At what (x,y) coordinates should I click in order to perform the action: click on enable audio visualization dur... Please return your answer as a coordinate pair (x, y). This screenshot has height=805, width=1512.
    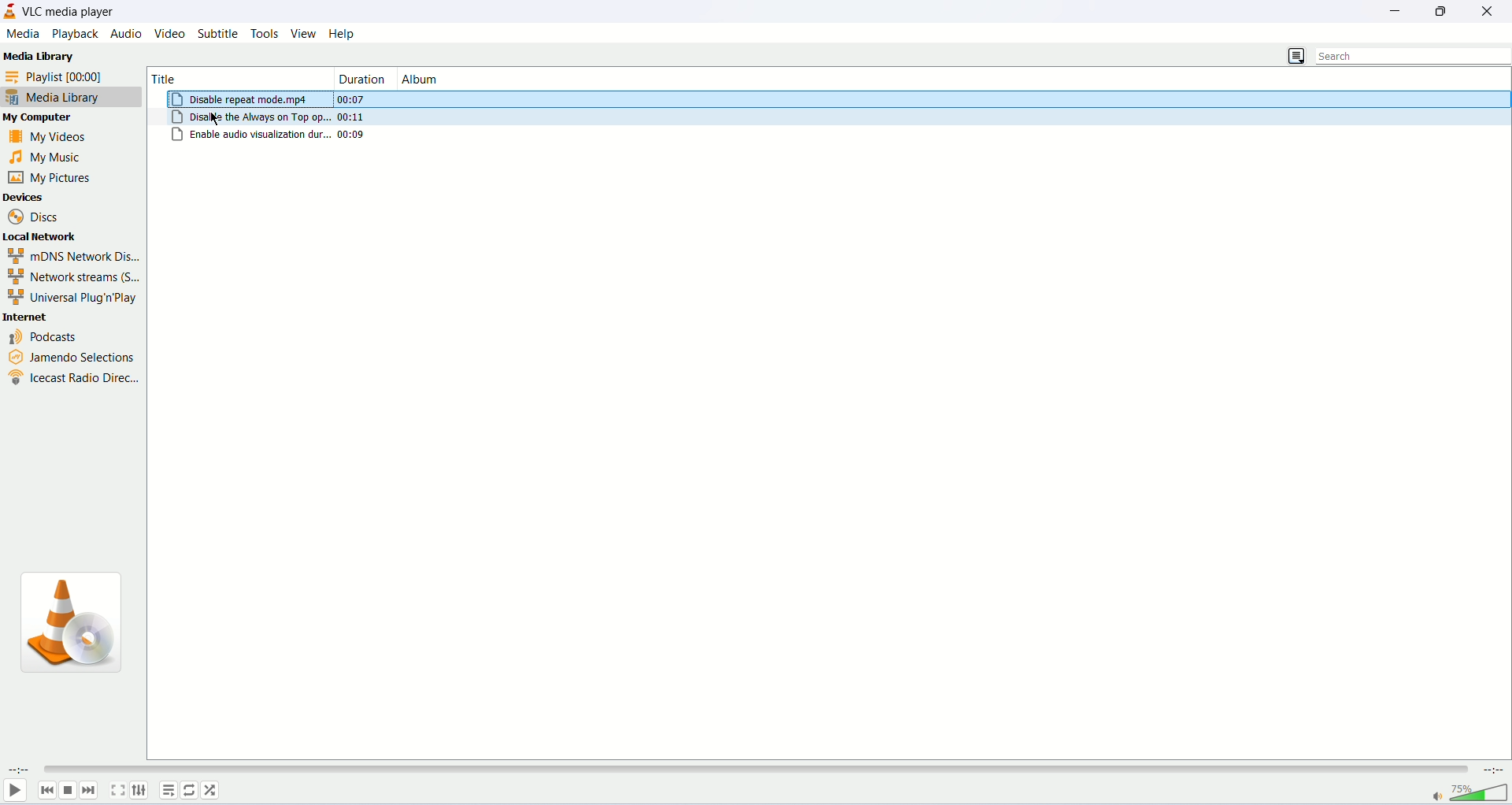
    Looking at the image, I should click on (251, 134).